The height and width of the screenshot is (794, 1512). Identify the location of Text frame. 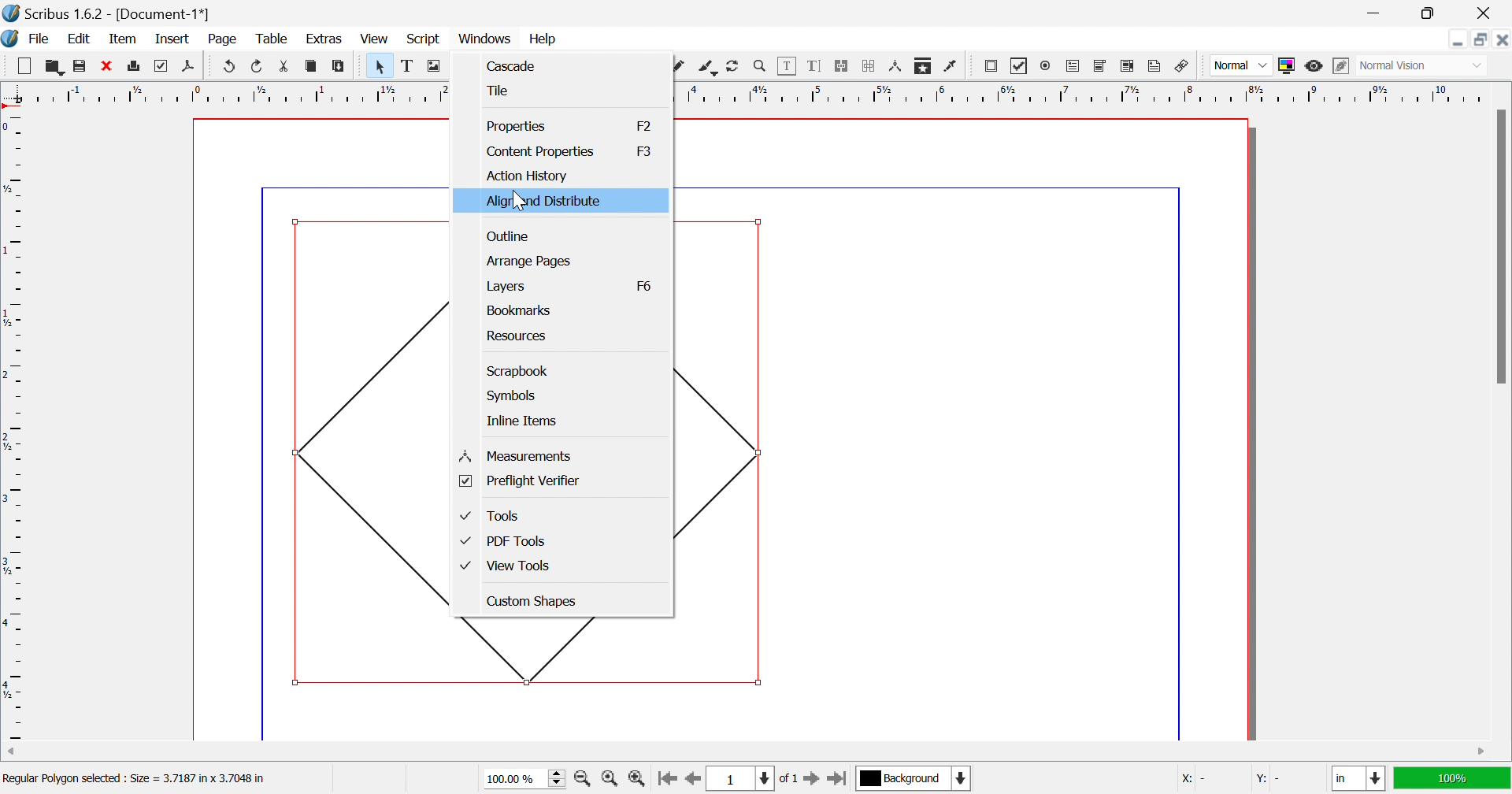
(409, 65).